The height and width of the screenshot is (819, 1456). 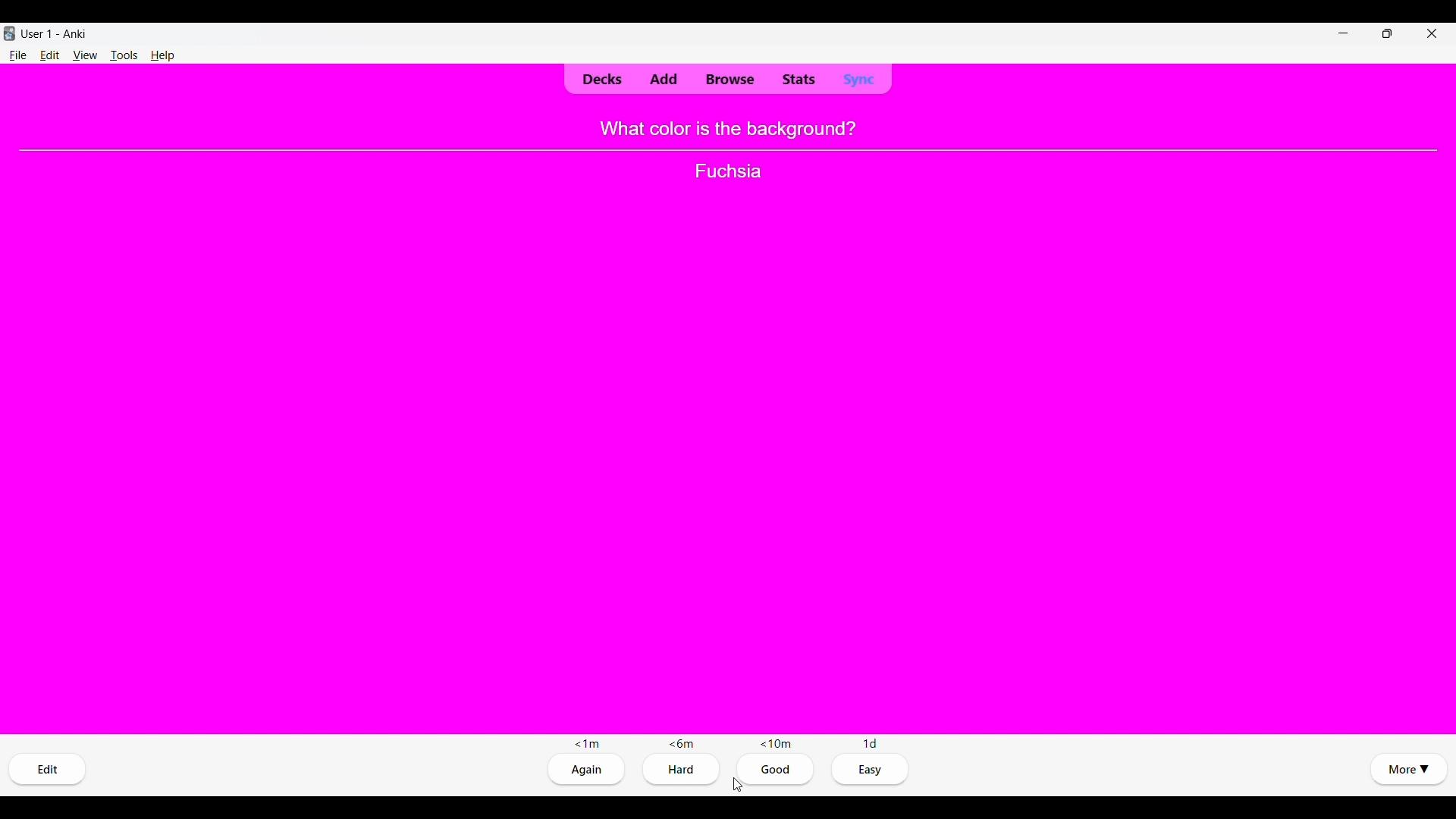 What do you see at coordinates (1432, 33) in the screenshot?
I see `Close interface` at bounding box center [1432, 33].